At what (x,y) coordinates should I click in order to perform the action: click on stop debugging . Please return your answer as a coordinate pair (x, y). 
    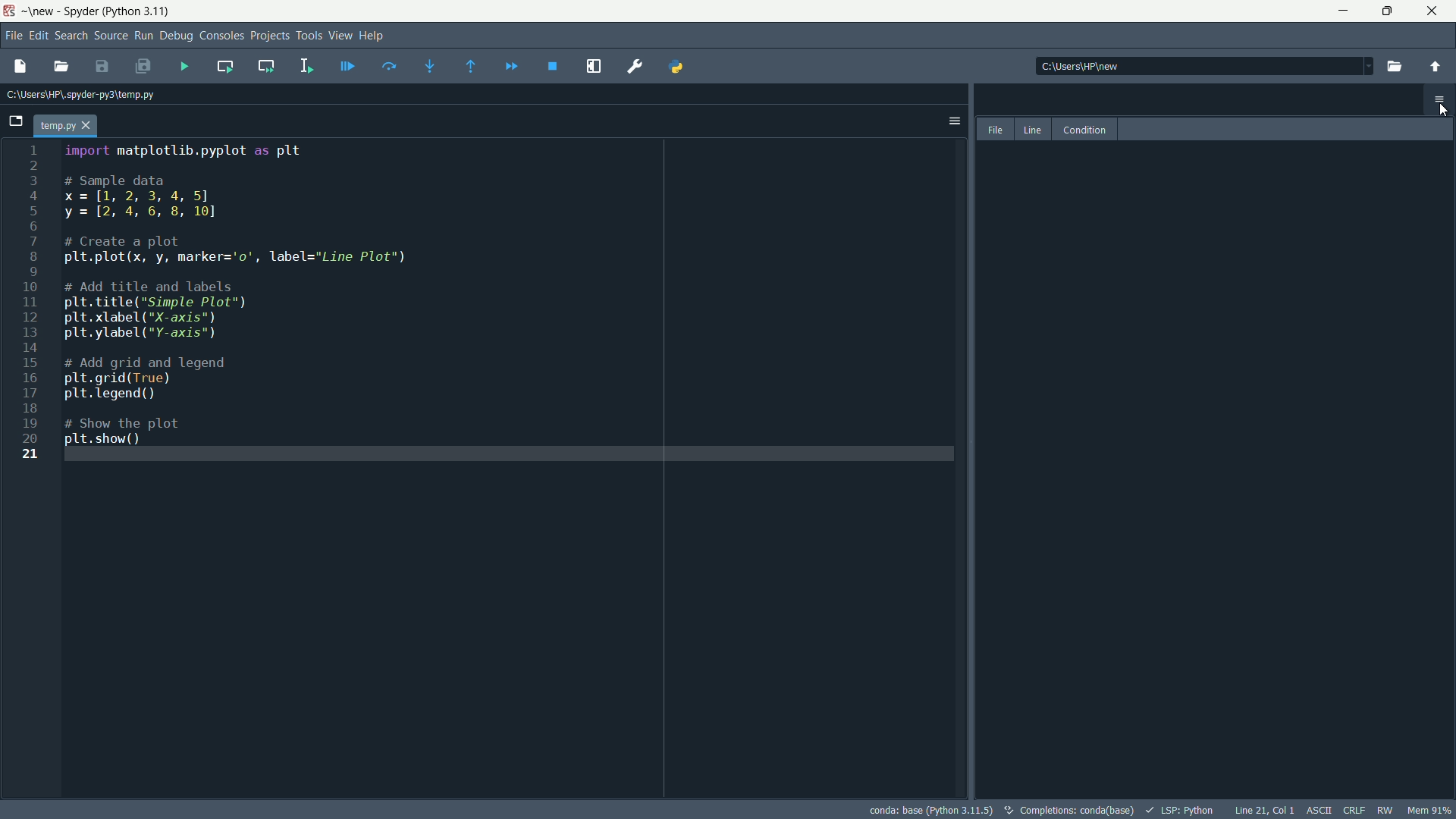
    Looking at the image, I should click on (554, 67).